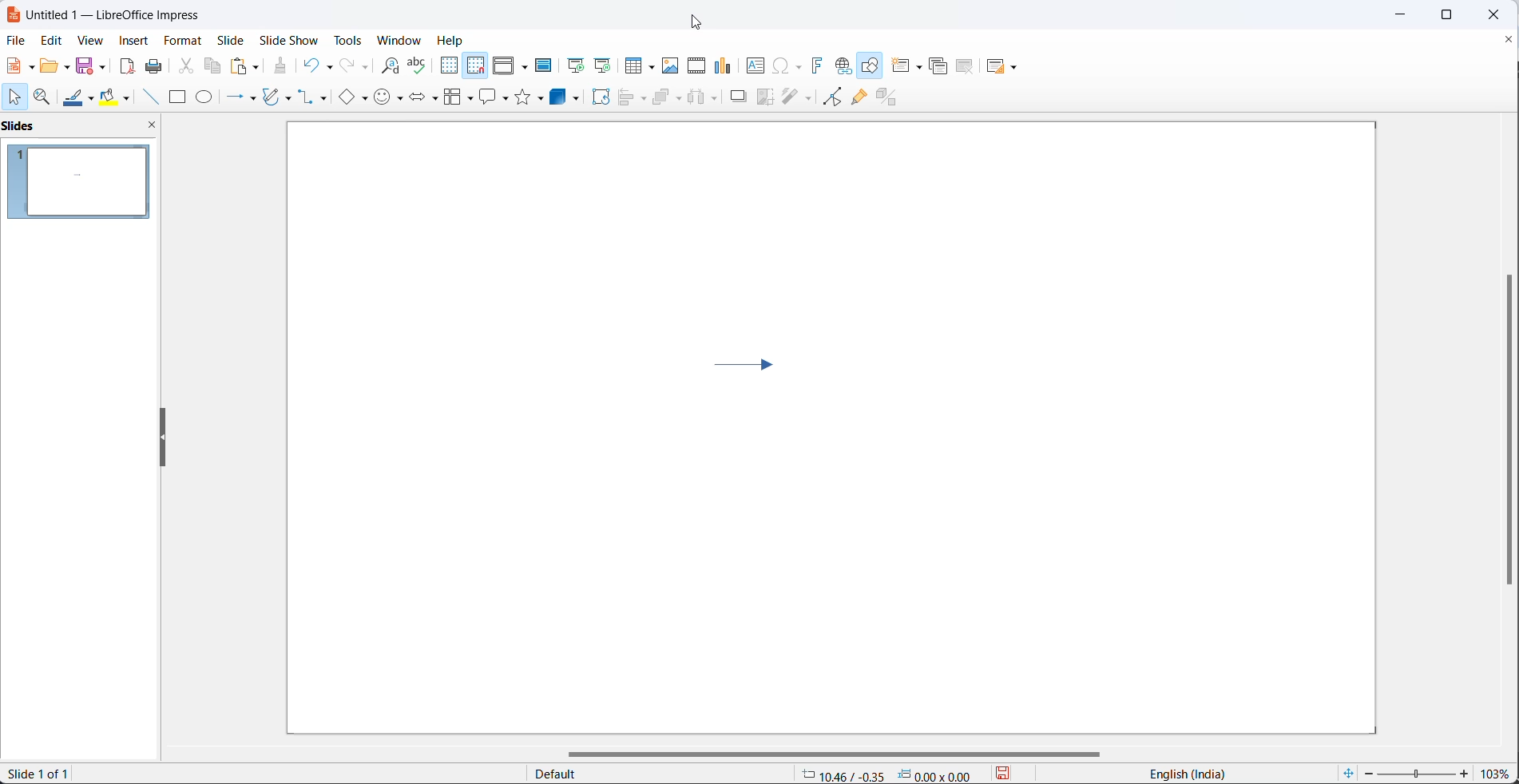 This screenshot has width=1519, height=784. What do you see at coordinates (137, 42) in the screenshot?
I see `insert ` at bounding box center [137, 42].